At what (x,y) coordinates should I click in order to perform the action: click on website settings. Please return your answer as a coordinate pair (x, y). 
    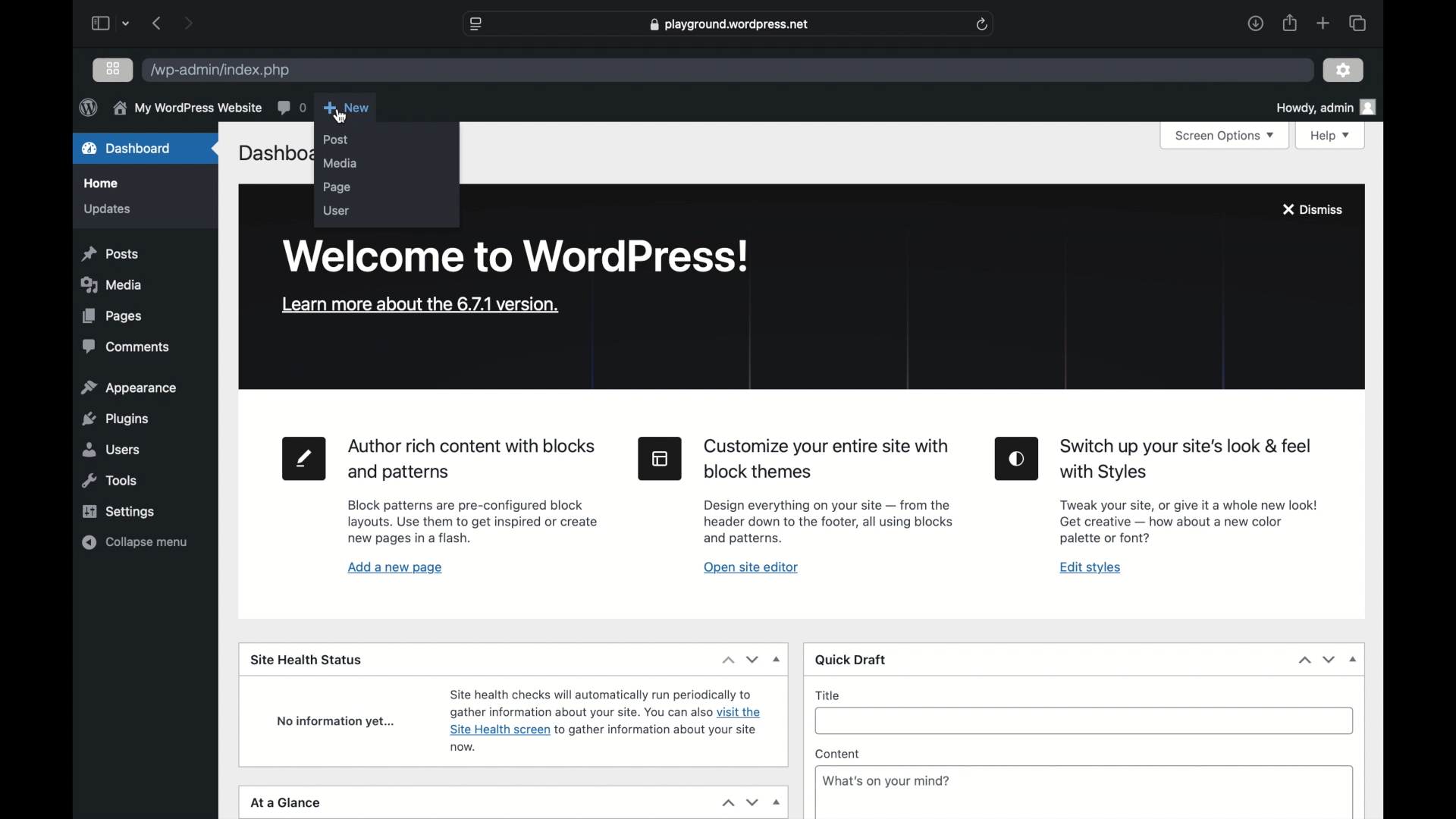
    Looking at the image, I should click on (475, 24).